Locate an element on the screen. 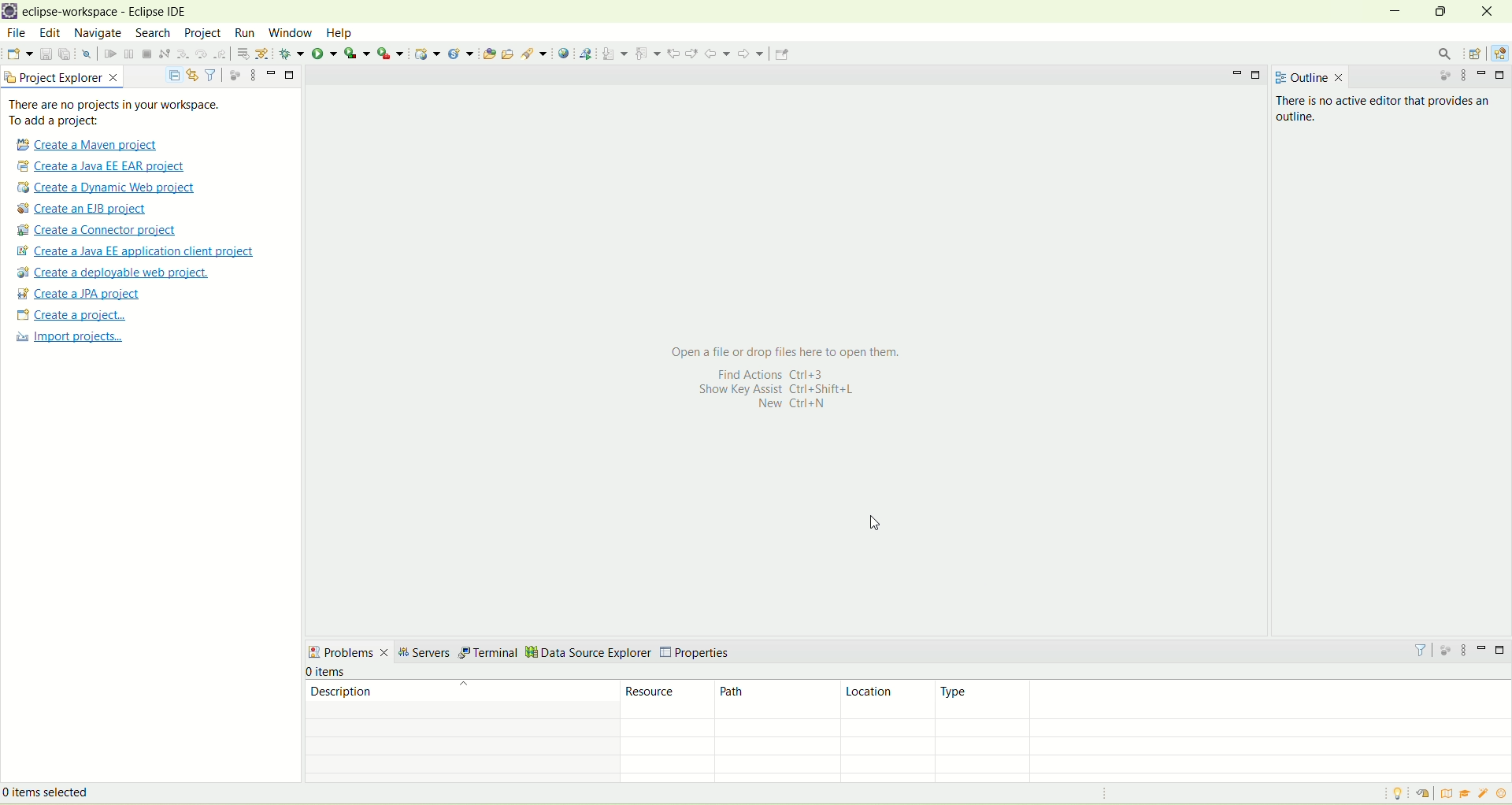 The image size is (1512, 805). drop to frame is located at coordinates (304, 54).